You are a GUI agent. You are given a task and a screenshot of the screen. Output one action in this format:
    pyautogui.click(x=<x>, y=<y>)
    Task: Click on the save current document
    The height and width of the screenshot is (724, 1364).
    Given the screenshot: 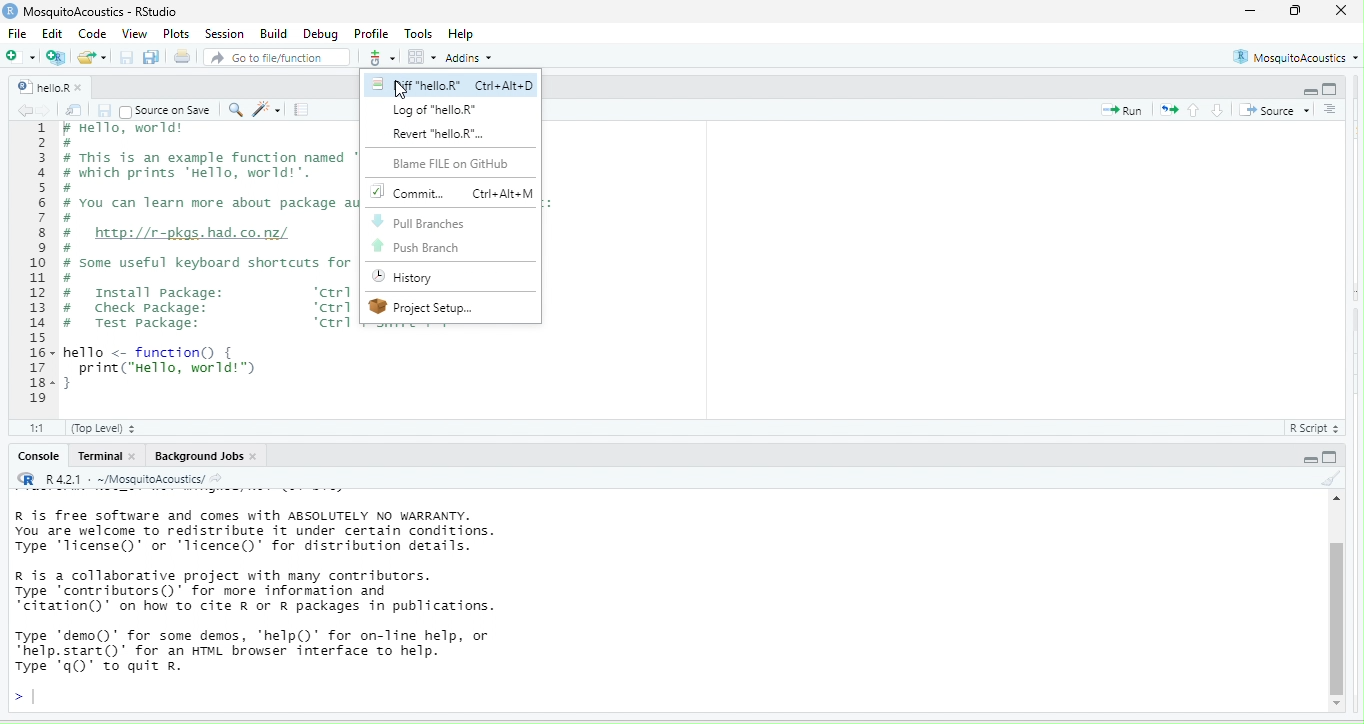 What is the action you would take?
    pyautogui.click(x=125, y=57)
    